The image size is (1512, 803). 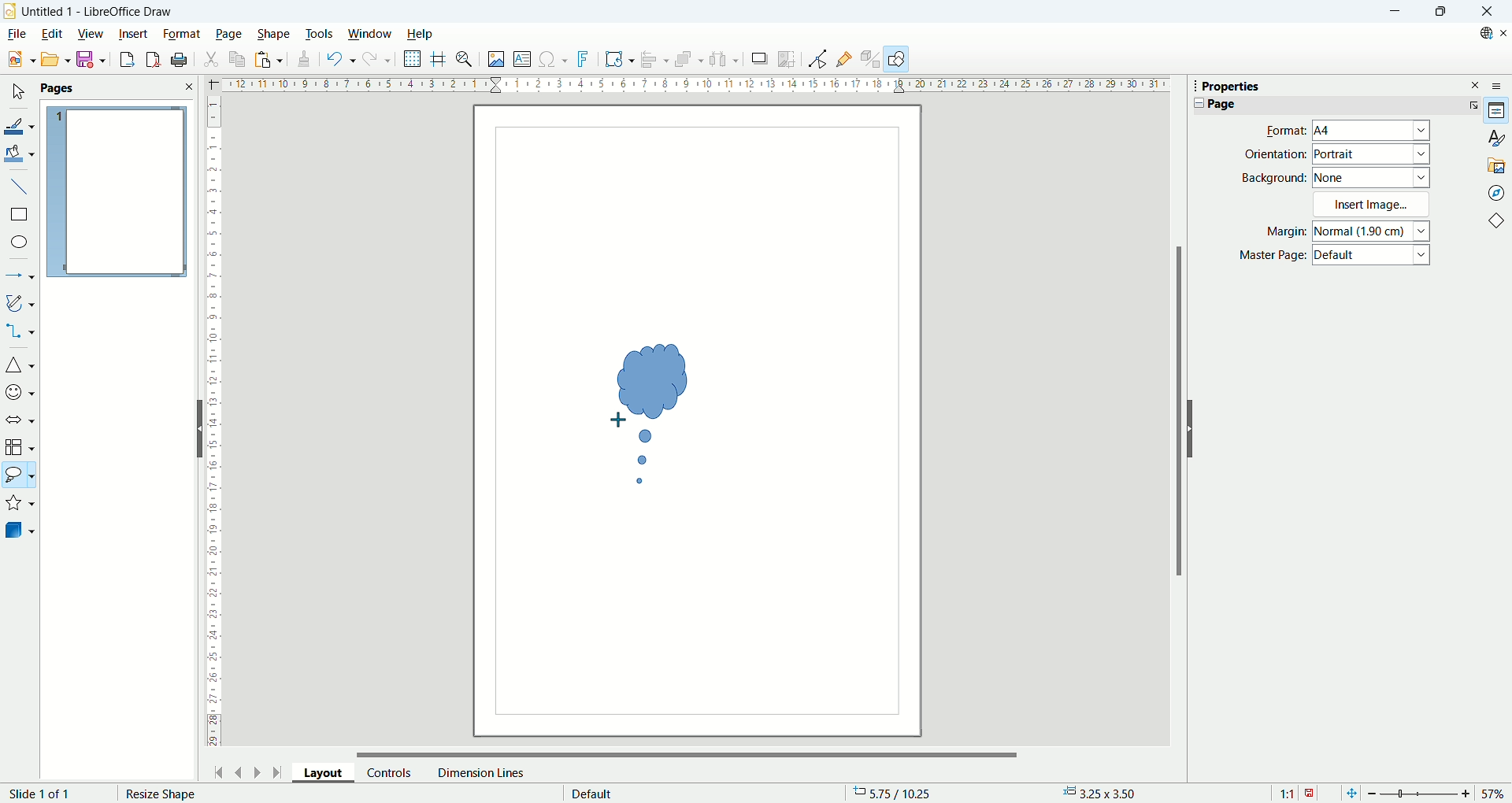 What do you see at coordinates (21, 531) in the screenshot?
I see `3D object` at bounding box center [21, 531].